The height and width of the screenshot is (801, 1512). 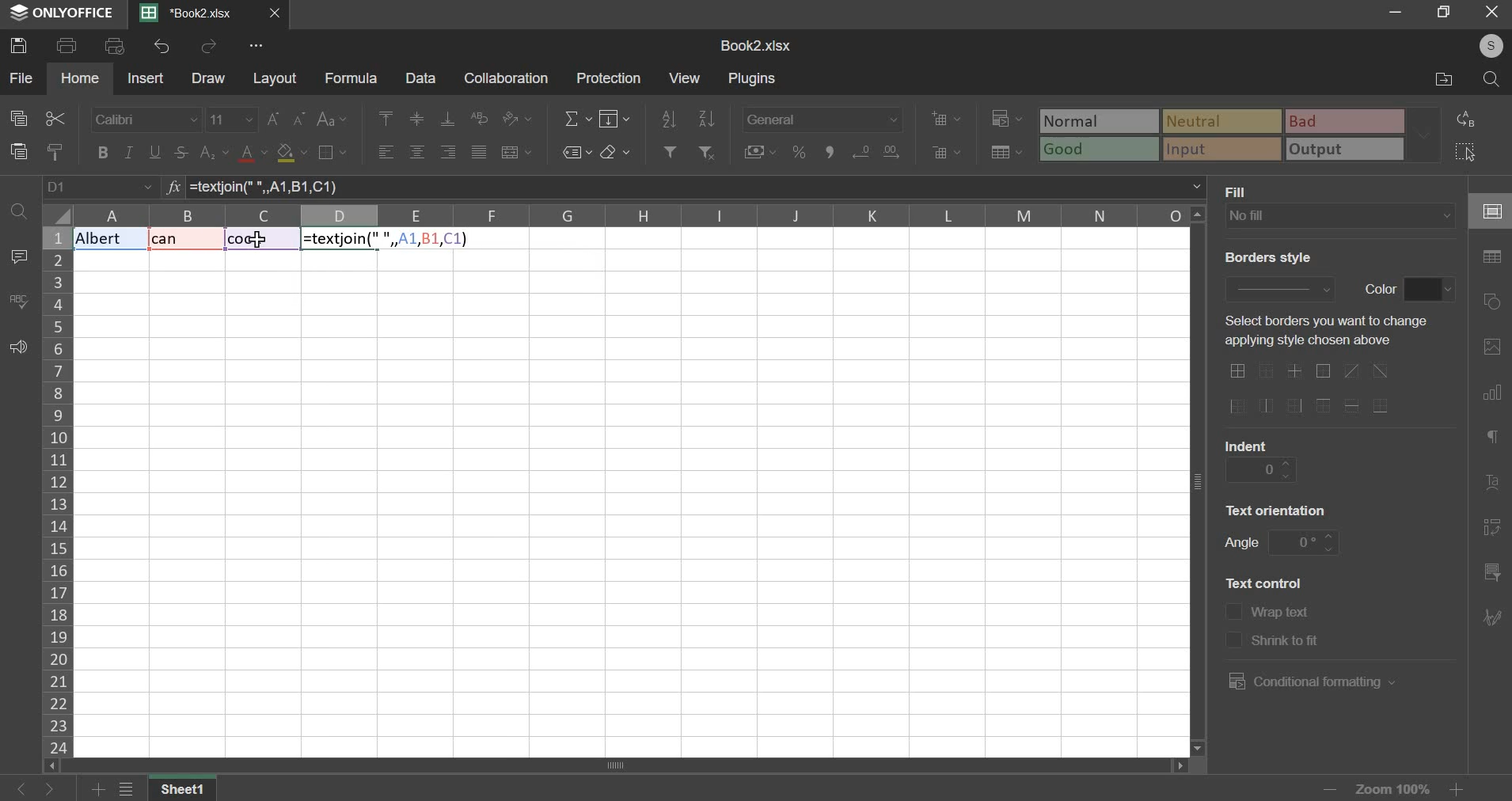 What do you see at coordinates (101, 152) in the screenshot?
I see `bold` at bounding box center [101, 152].